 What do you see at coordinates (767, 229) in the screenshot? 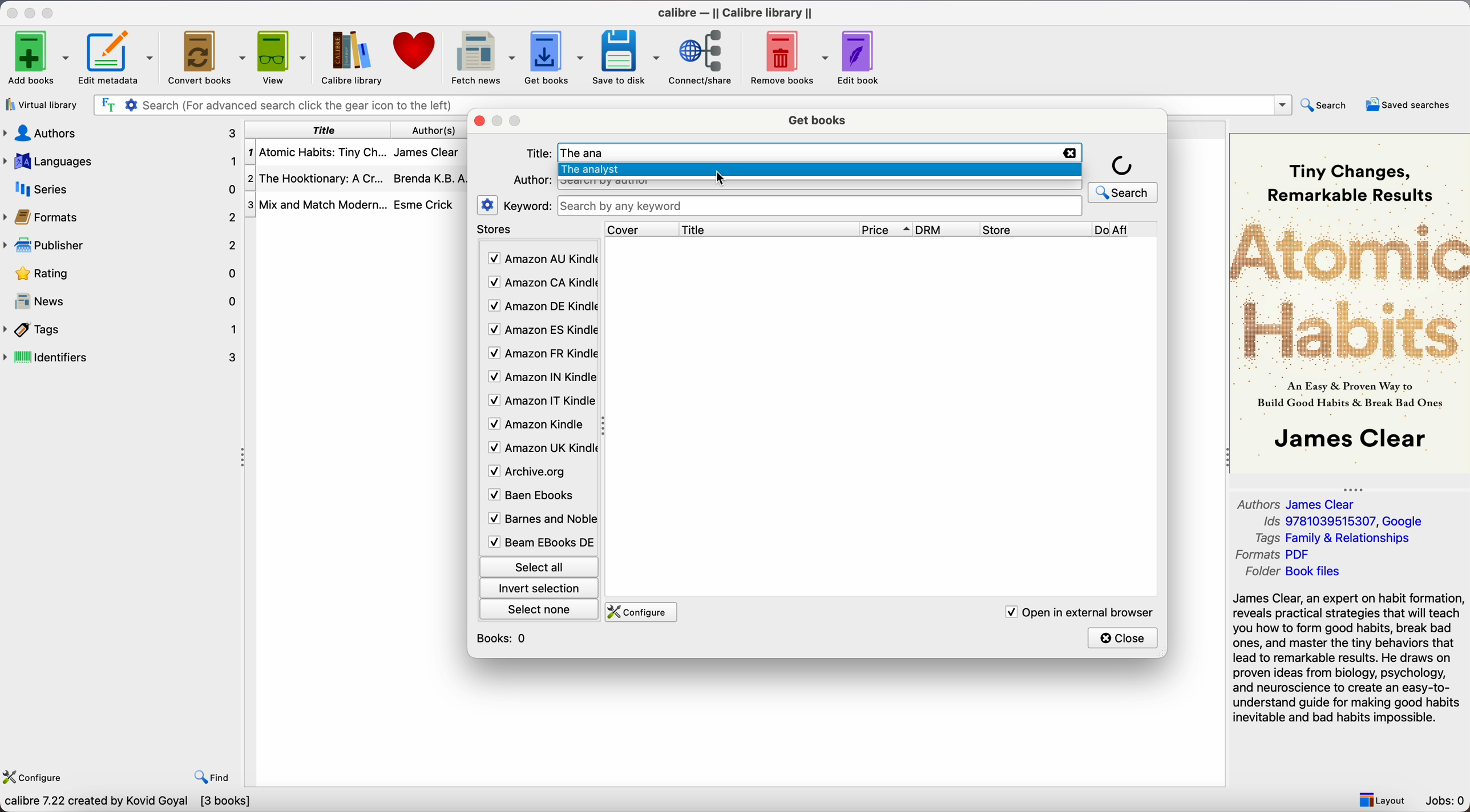
I see `title` at bounding box center [767, 229].